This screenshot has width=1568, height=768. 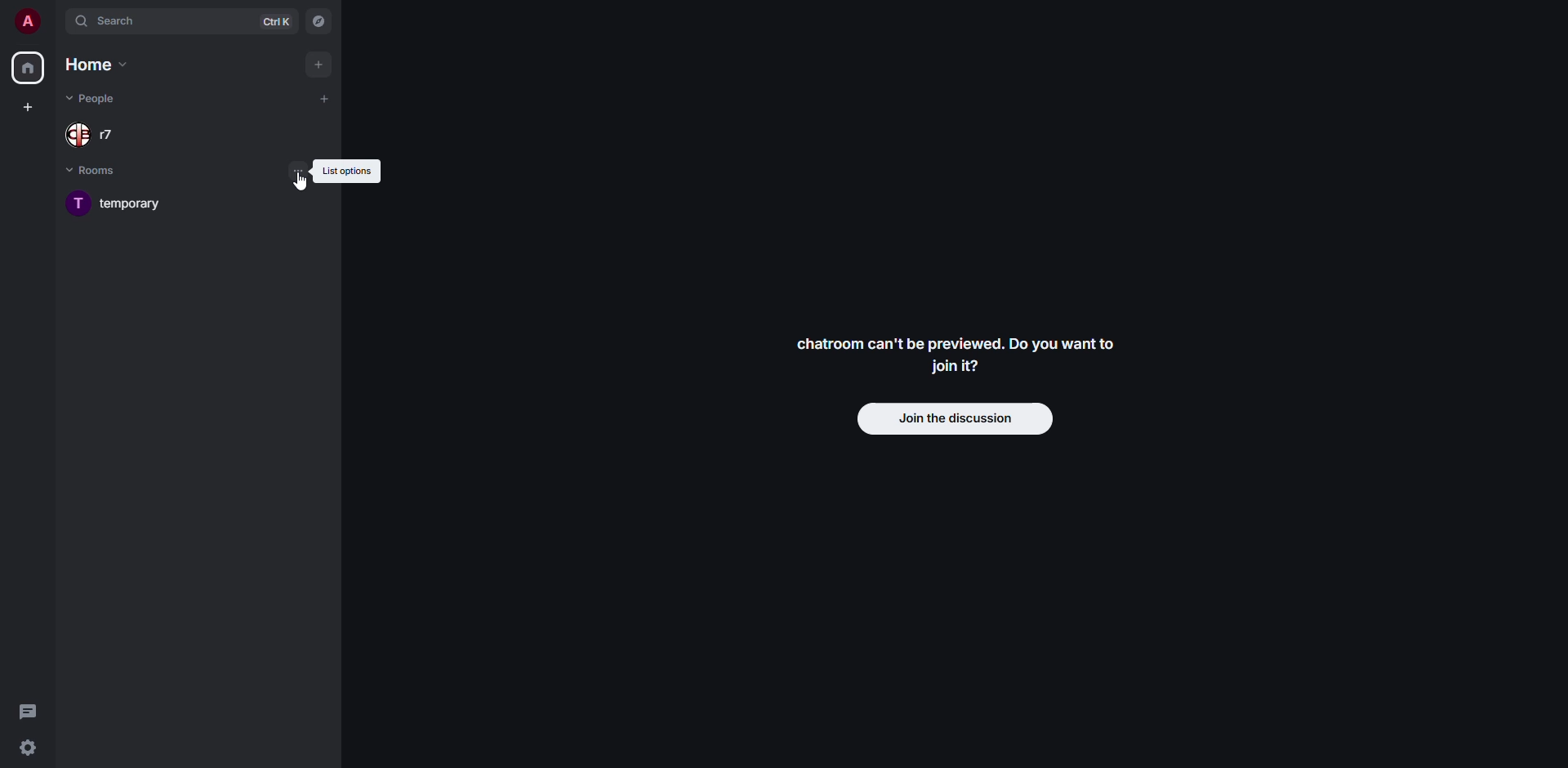 I want to click on quick settings, so click(x=28, y=747).